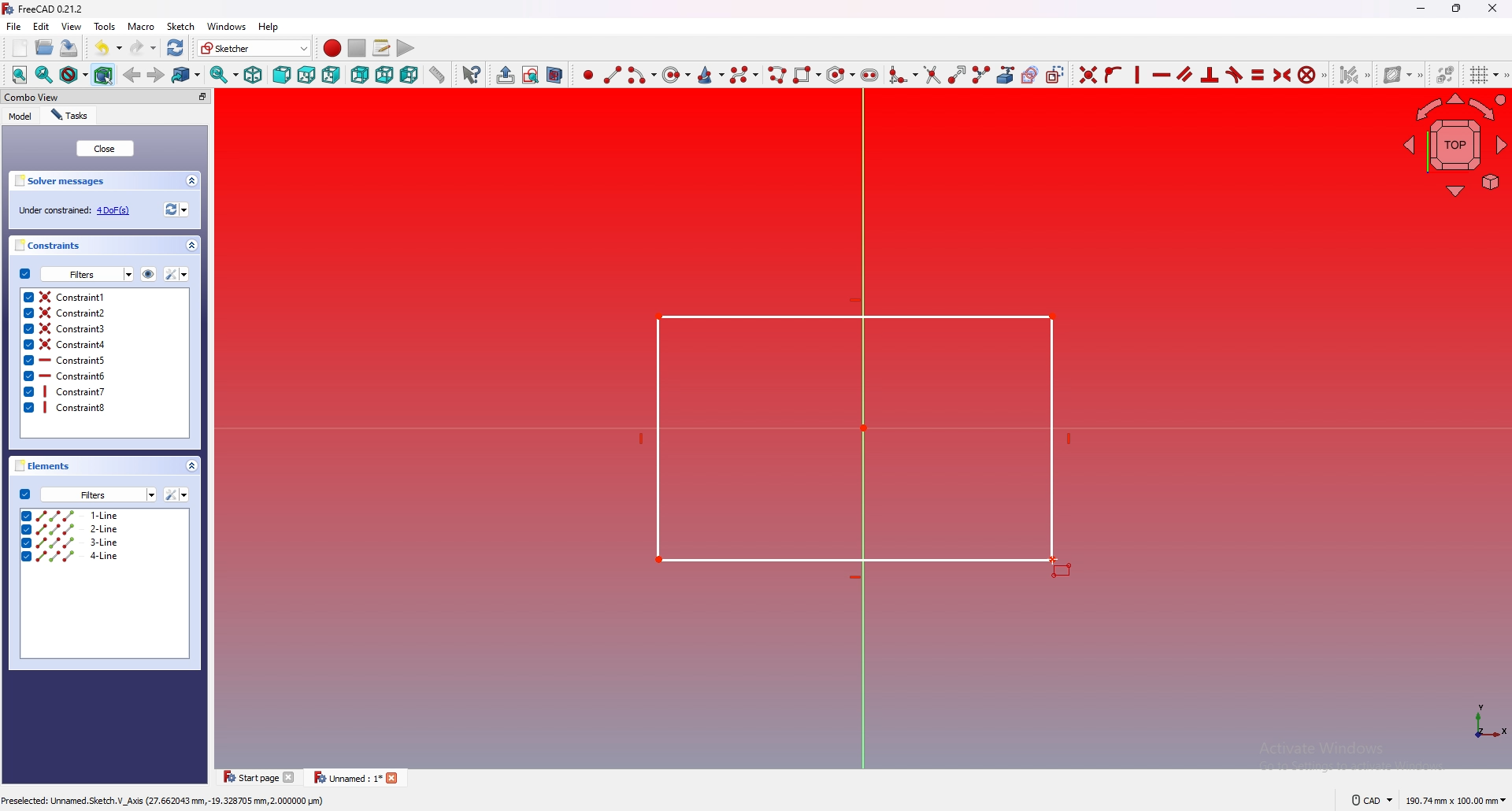 Image resolution: width=1512 pixels, height=811 pixels. I want to click on constraint tangent, so click(1234, 75).